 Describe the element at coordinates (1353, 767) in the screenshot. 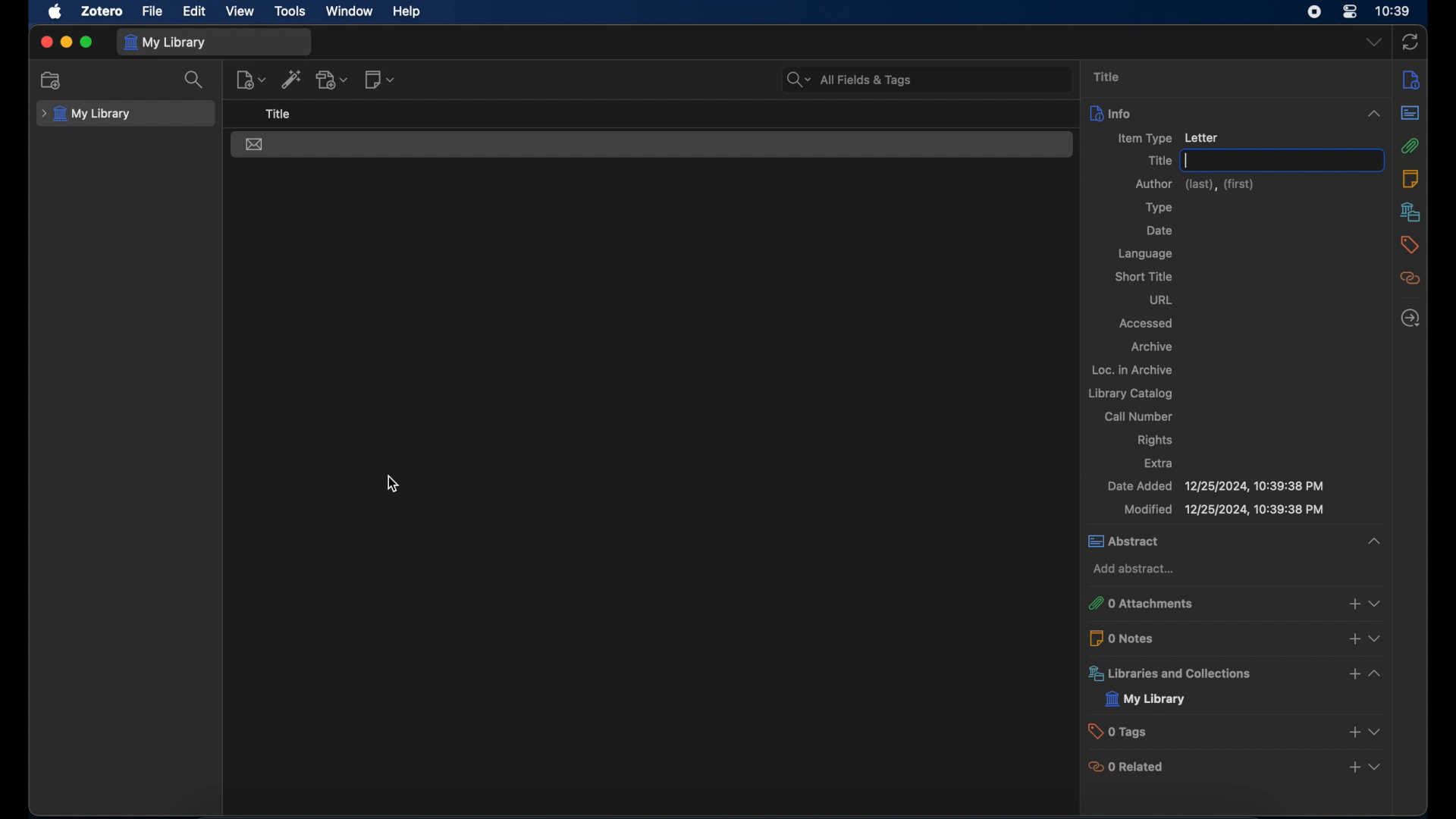

I see `add` at that location.